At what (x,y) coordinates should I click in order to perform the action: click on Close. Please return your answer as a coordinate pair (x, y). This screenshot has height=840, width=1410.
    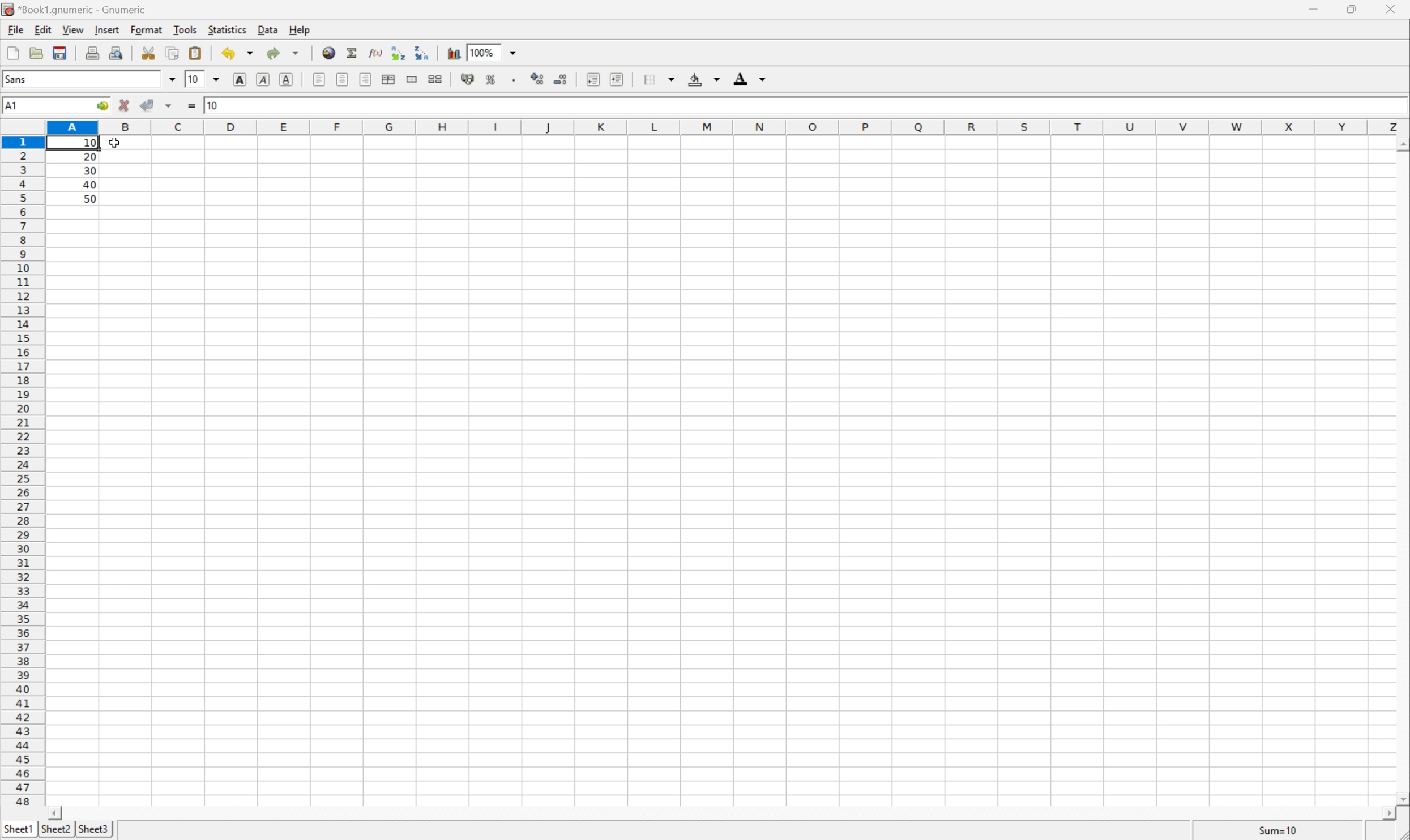
    Looking at the image, I should click on (1392, 7).